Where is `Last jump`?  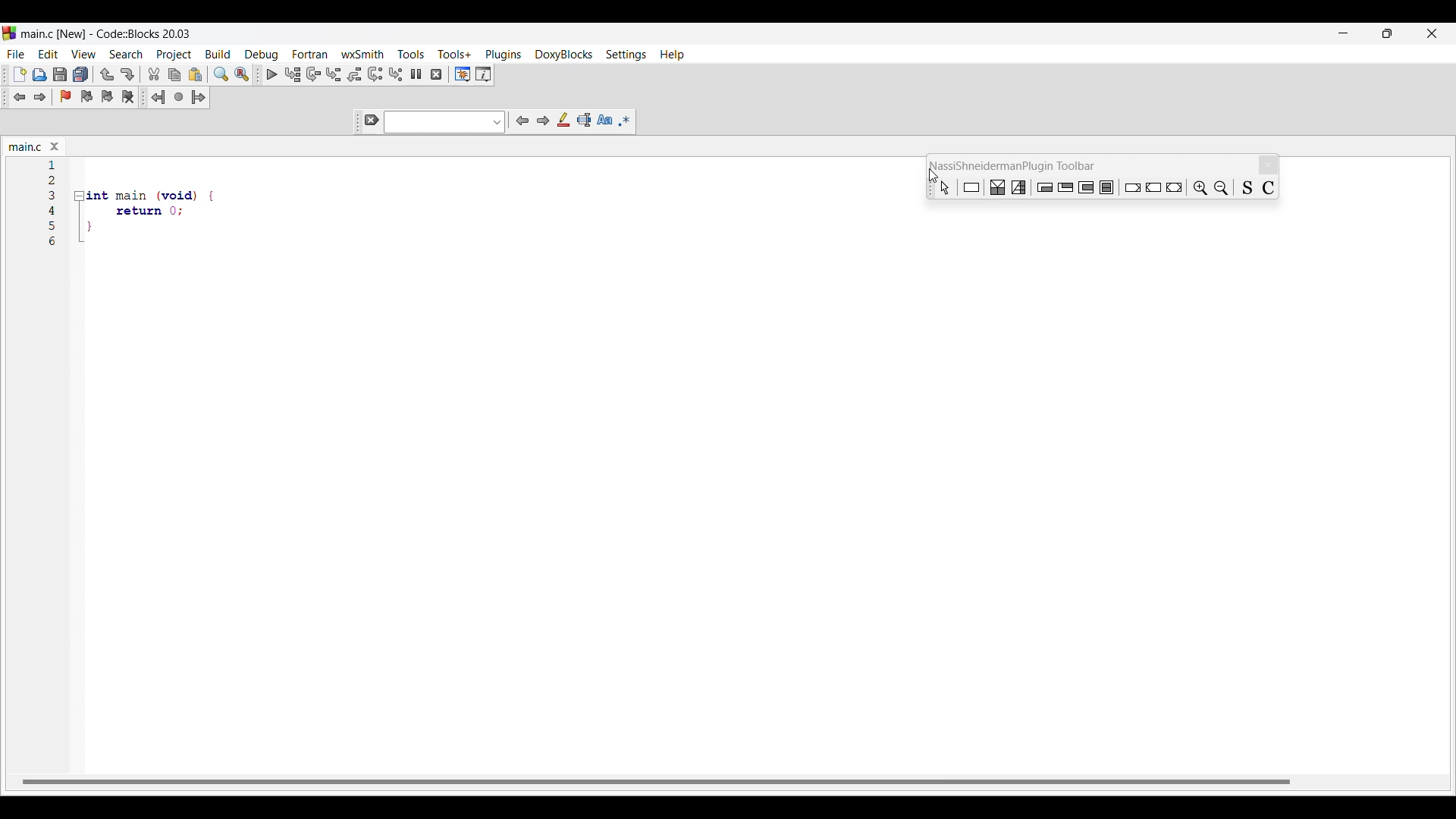 Last jump is located at coordinates (179, 96).